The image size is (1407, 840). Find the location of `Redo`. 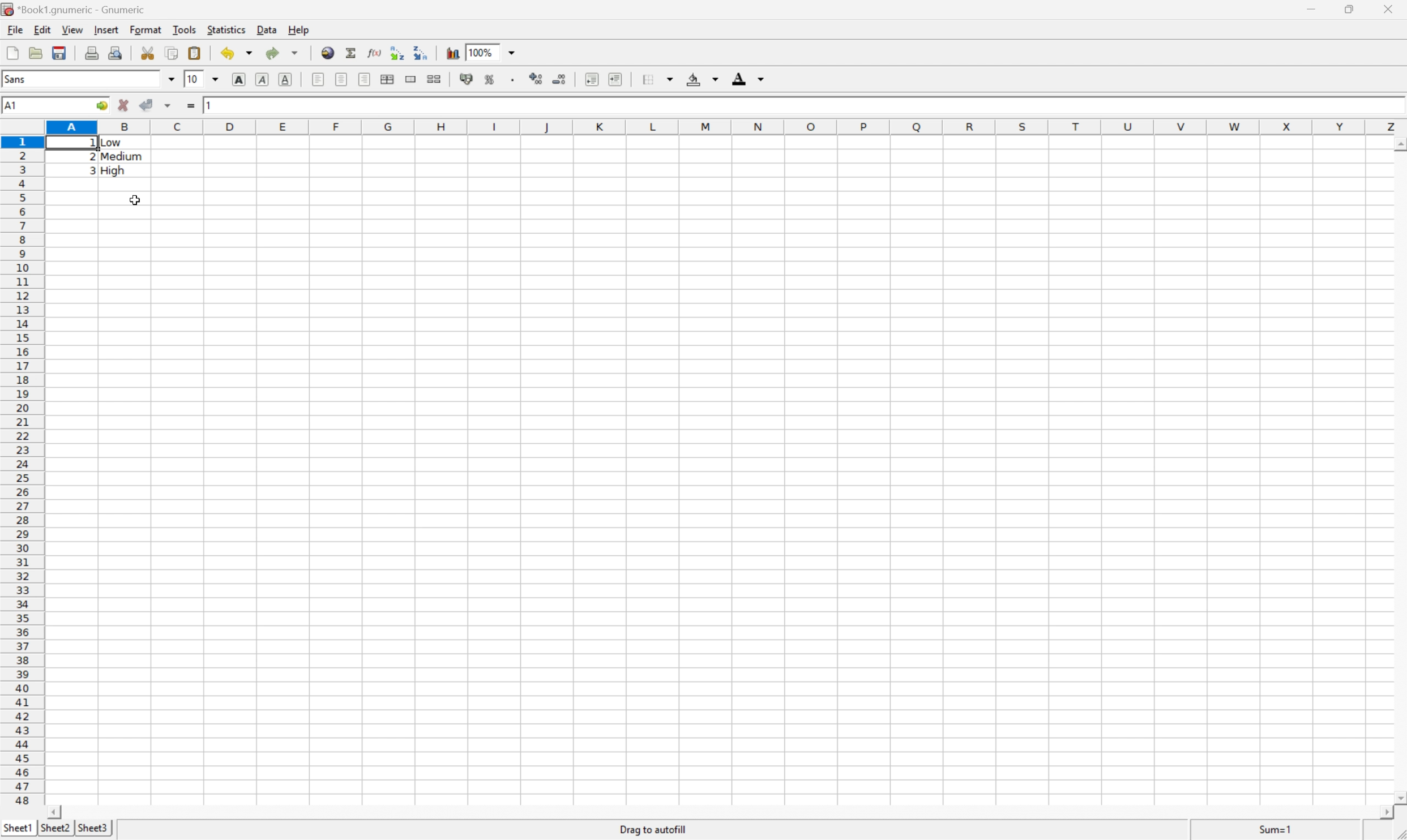

Redo is located at coordinates (281, 52).